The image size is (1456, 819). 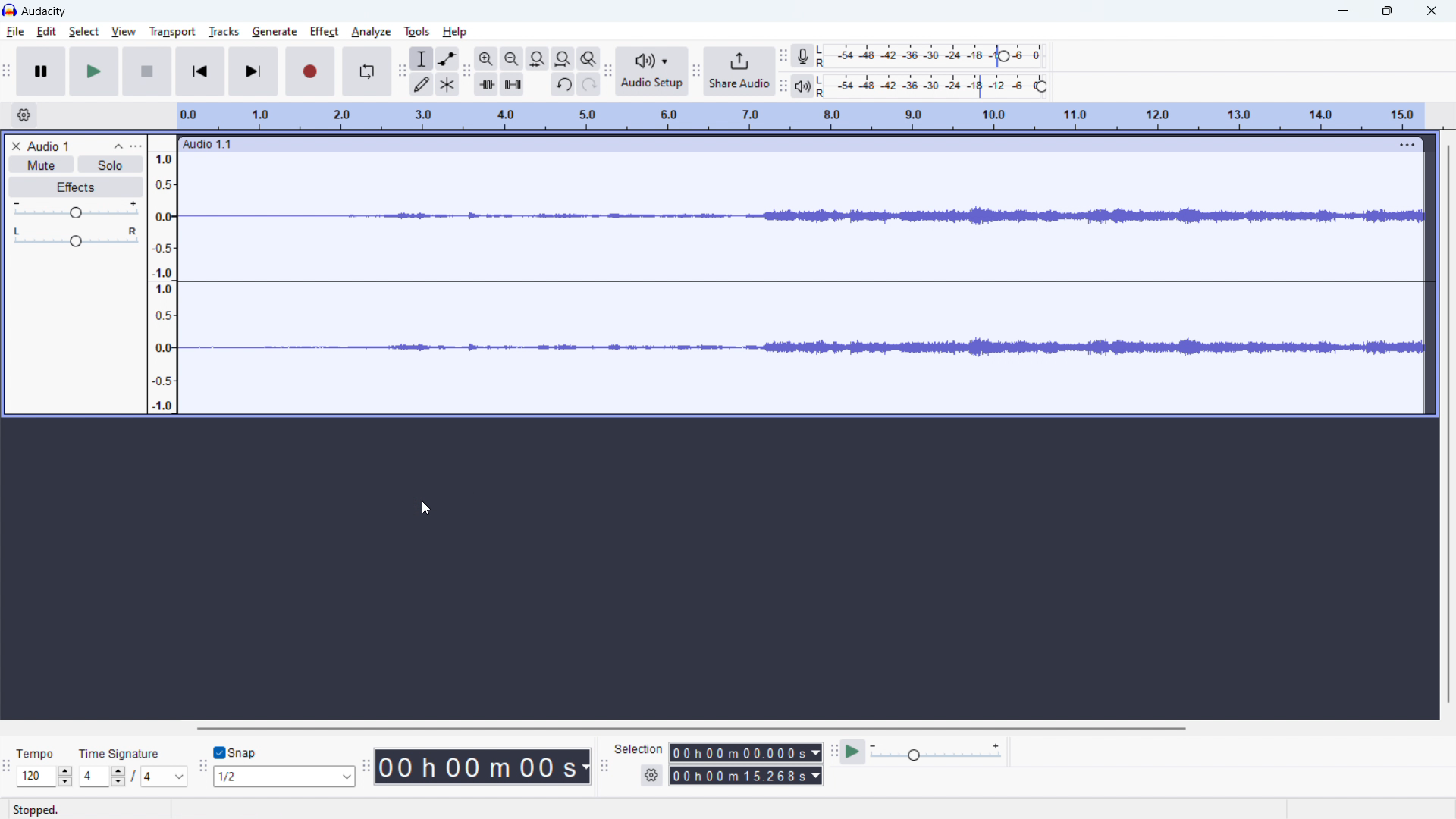 What do you see at coordinates (447, 84) in the screenshot?
I see `multi tool` at bounding box center [447, 84].